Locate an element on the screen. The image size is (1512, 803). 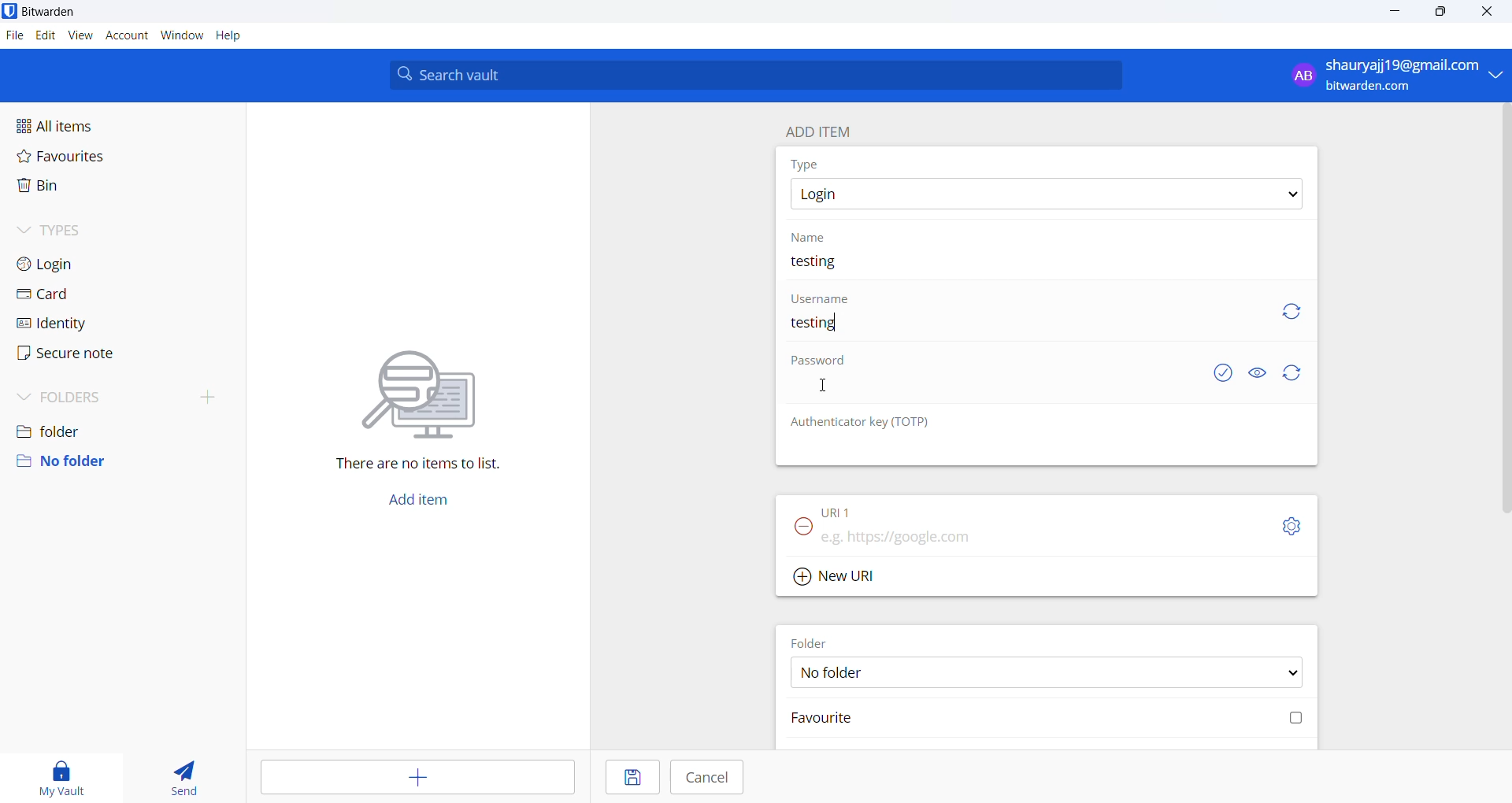
secure note is located at coordinates (80, 354).